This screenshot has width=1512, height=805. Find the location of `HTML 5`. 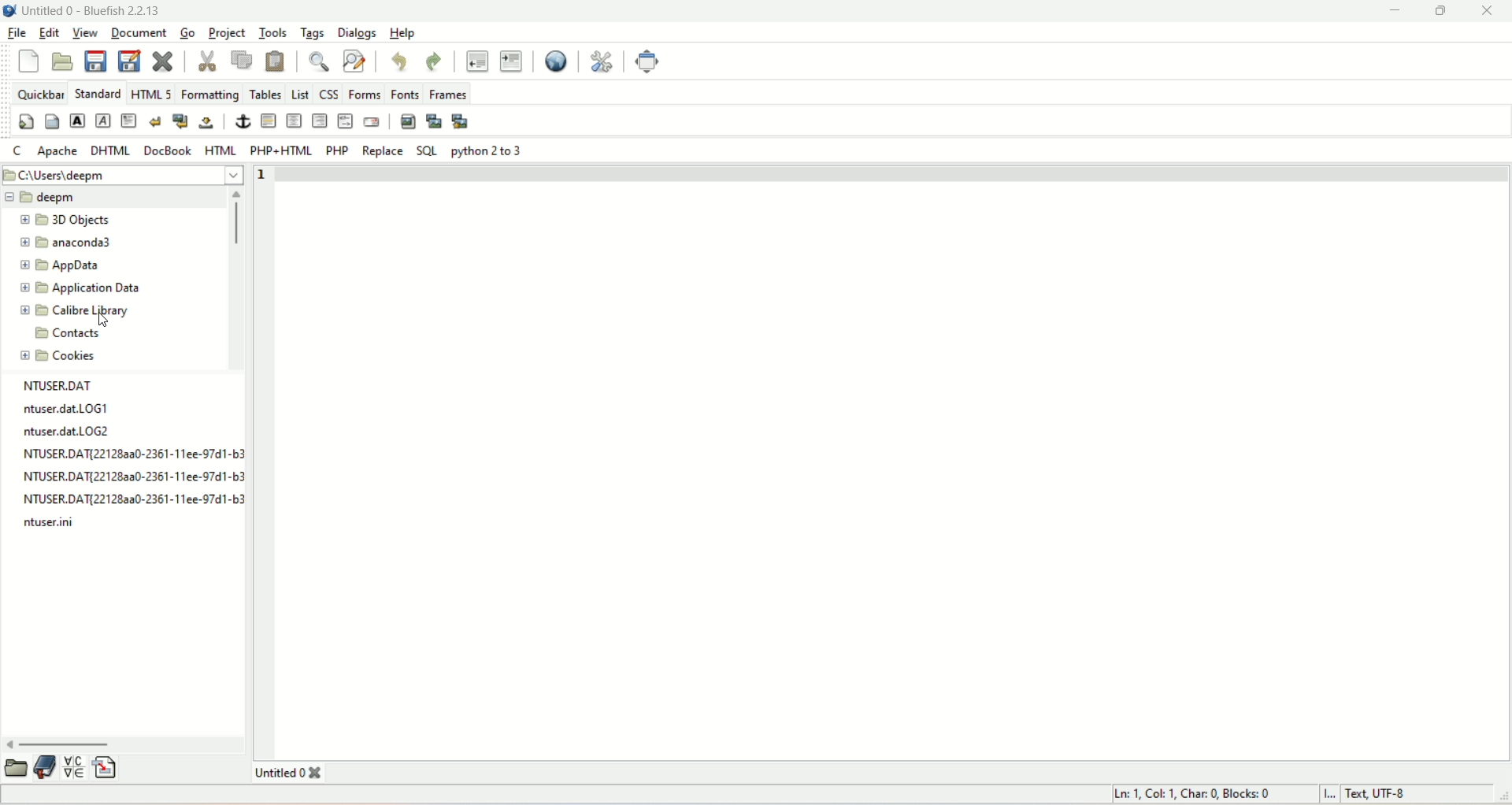

HTML 5 is located at coordinates (152, 93).